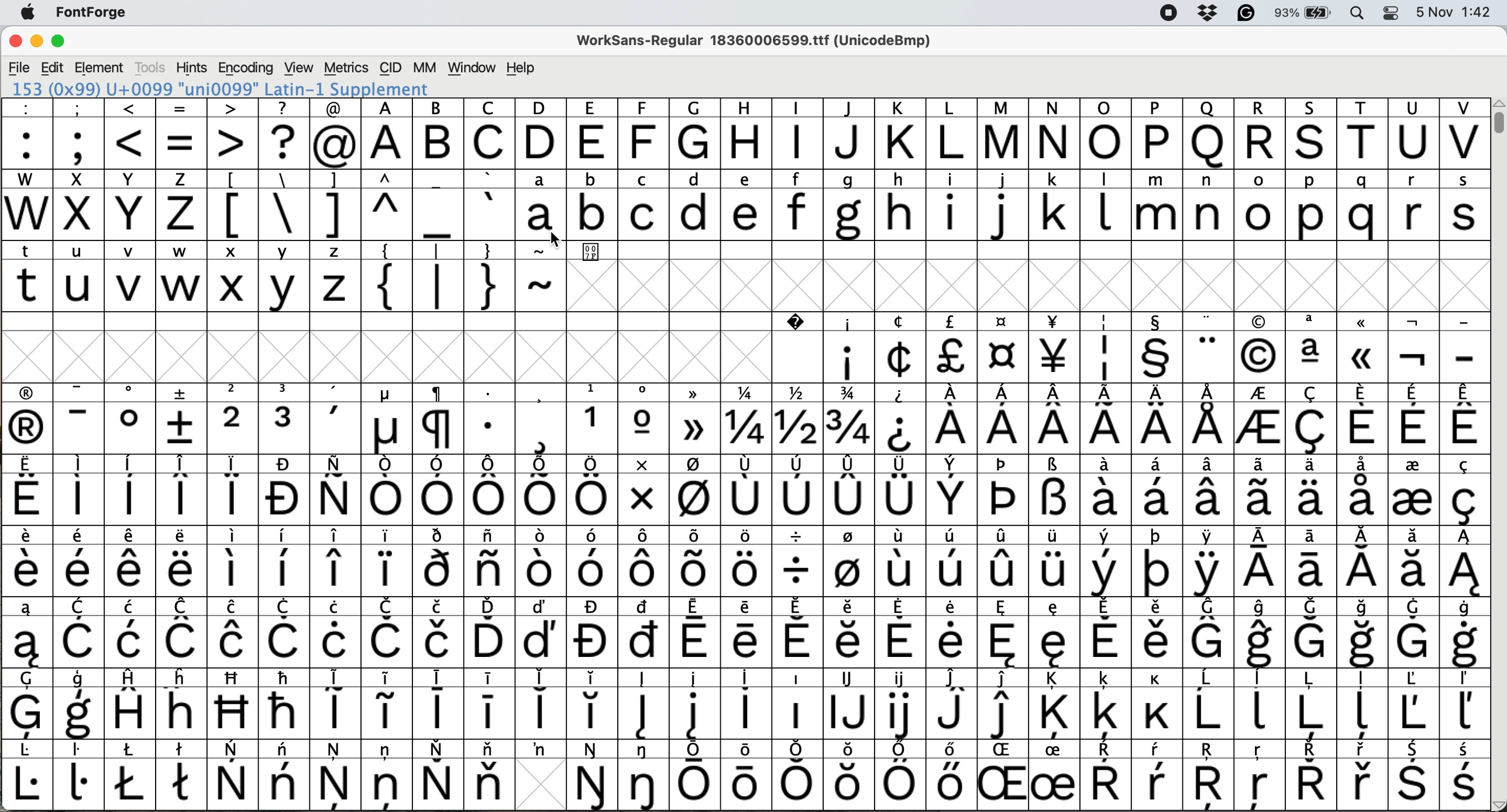  Describe the element at coordinates (952, 206) in the screenshot. I see `i` at that location.